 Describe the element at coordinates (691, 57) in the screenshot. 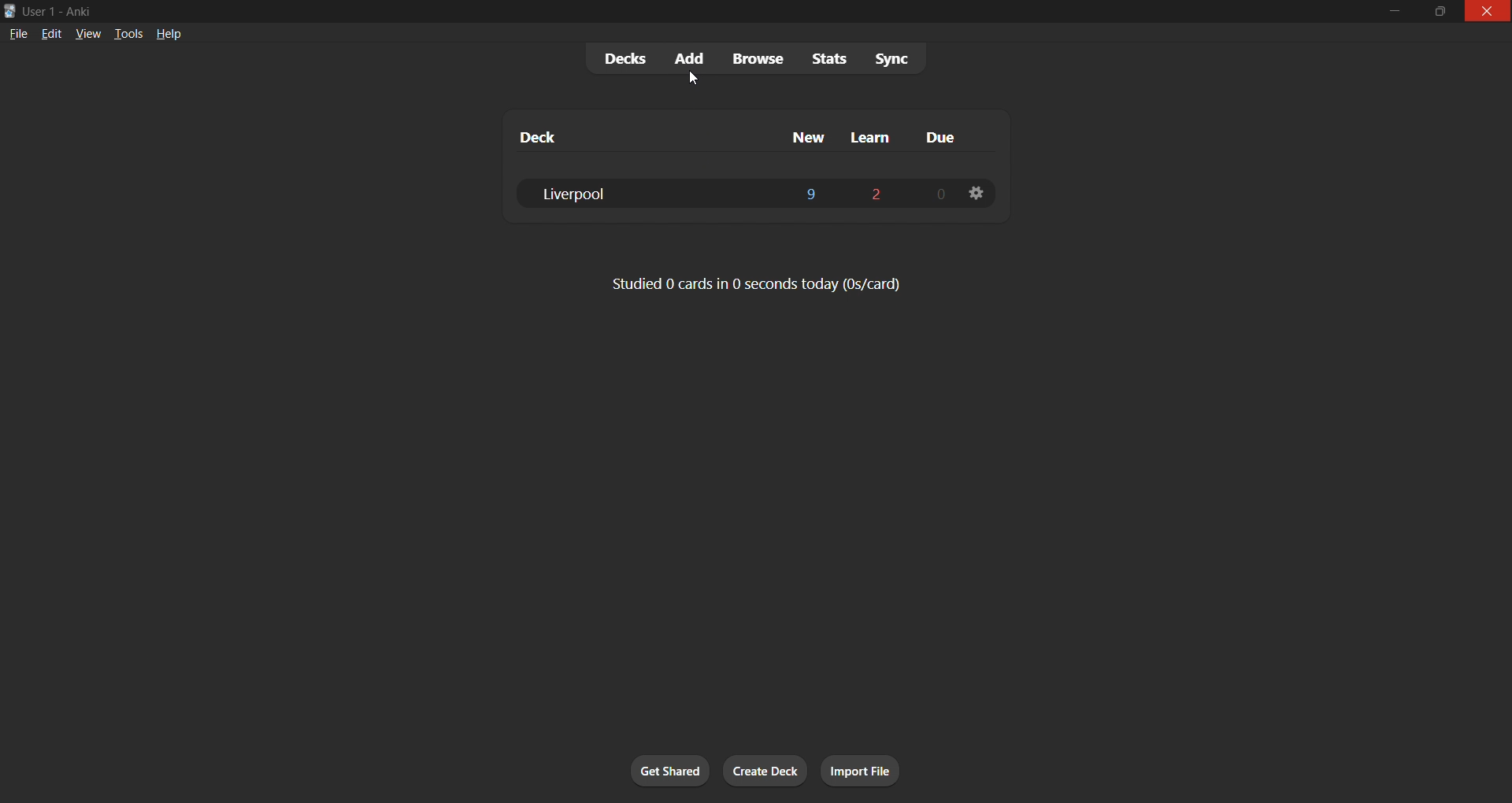

I see `add` at that location.